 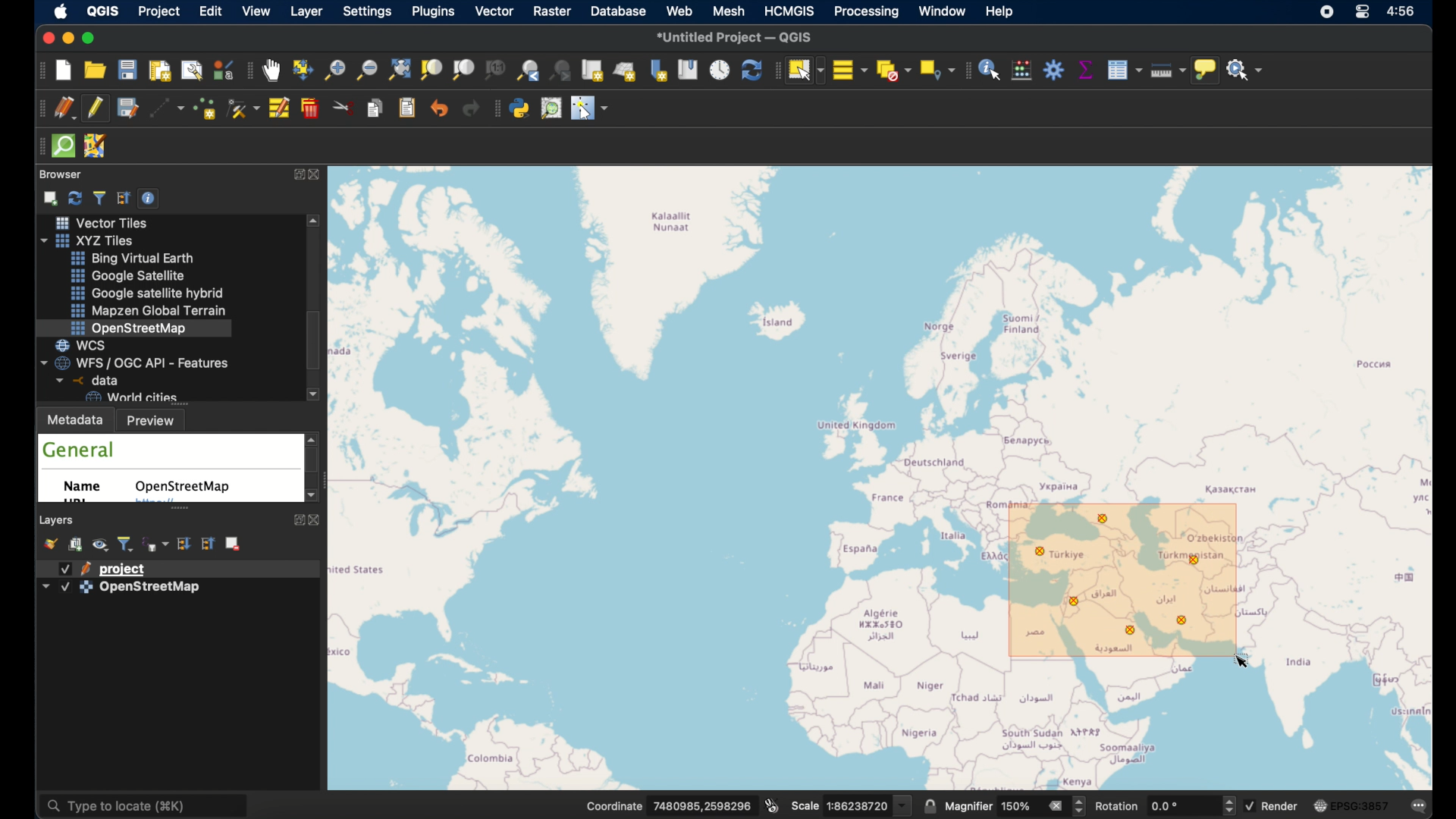 What do you see at coordinates (317, 341) in the screenshot?
I see `scroll box` at bounding box center [317, 341].